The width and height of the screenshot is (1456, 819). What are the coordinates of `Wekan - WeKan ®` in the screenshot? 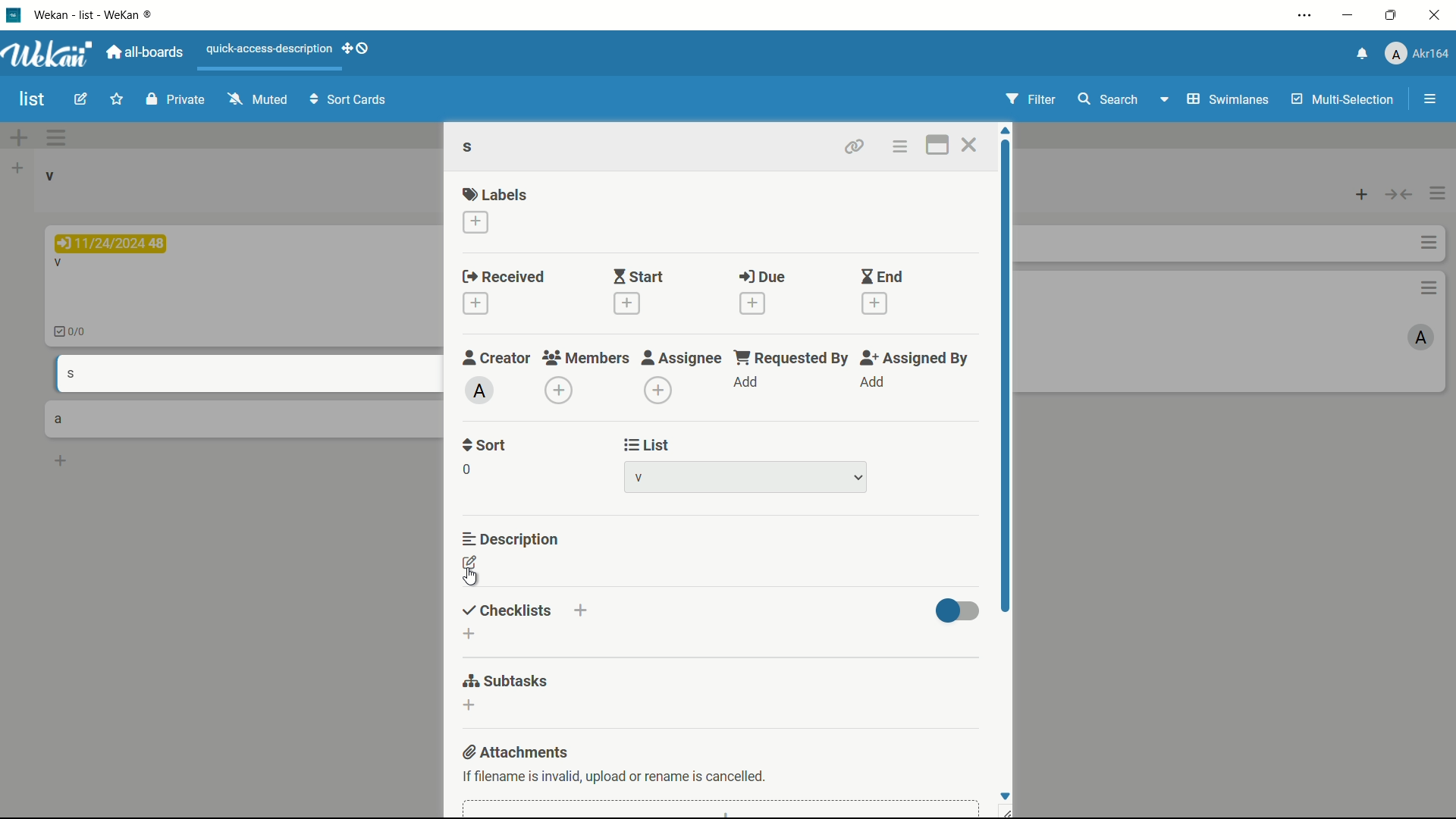 It's located at (96, 14).